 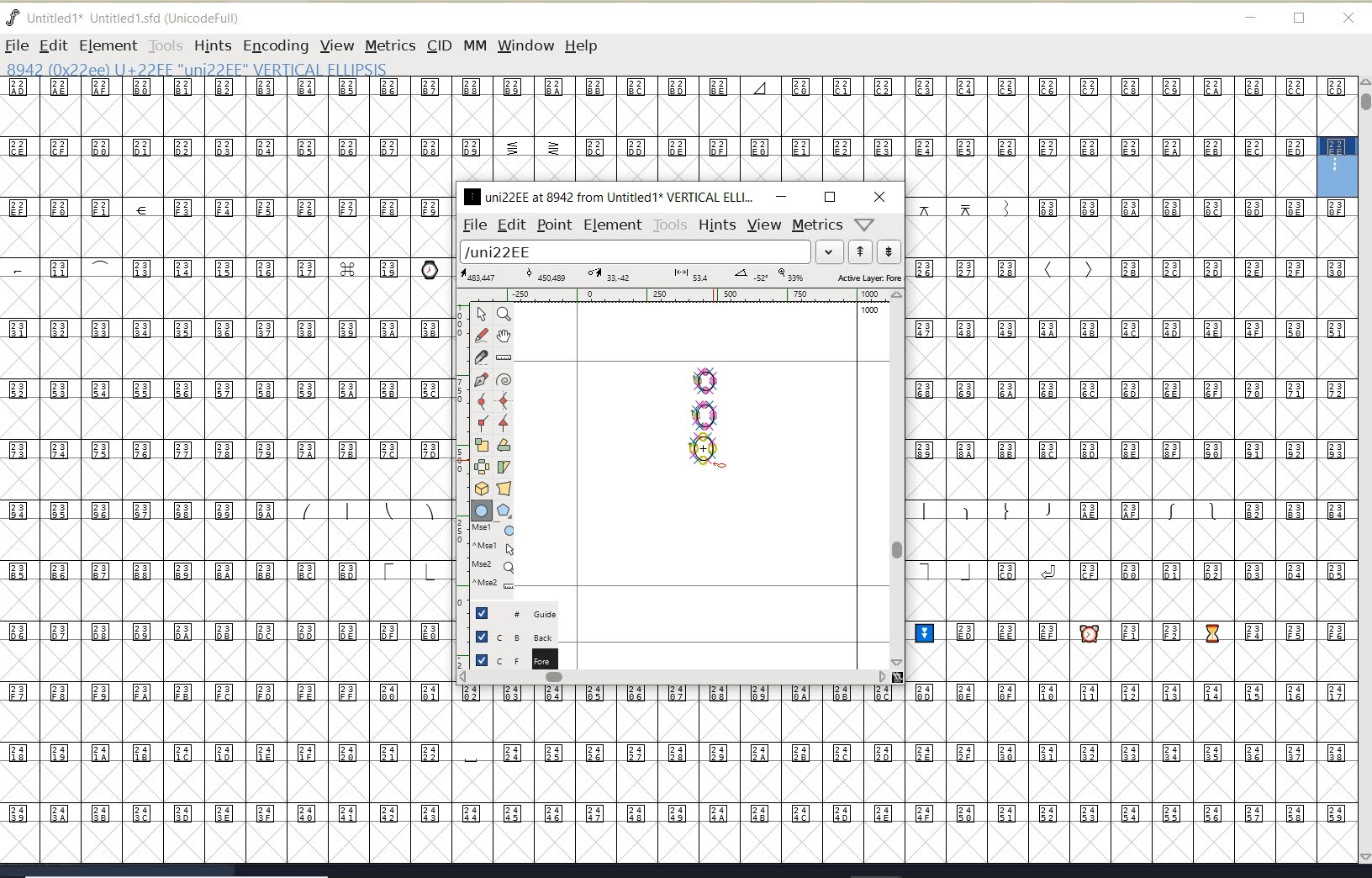 What do you see at coordinates (482, 467) in the screenshot?
I see `flip the selection` at bounding box center [482, 467].